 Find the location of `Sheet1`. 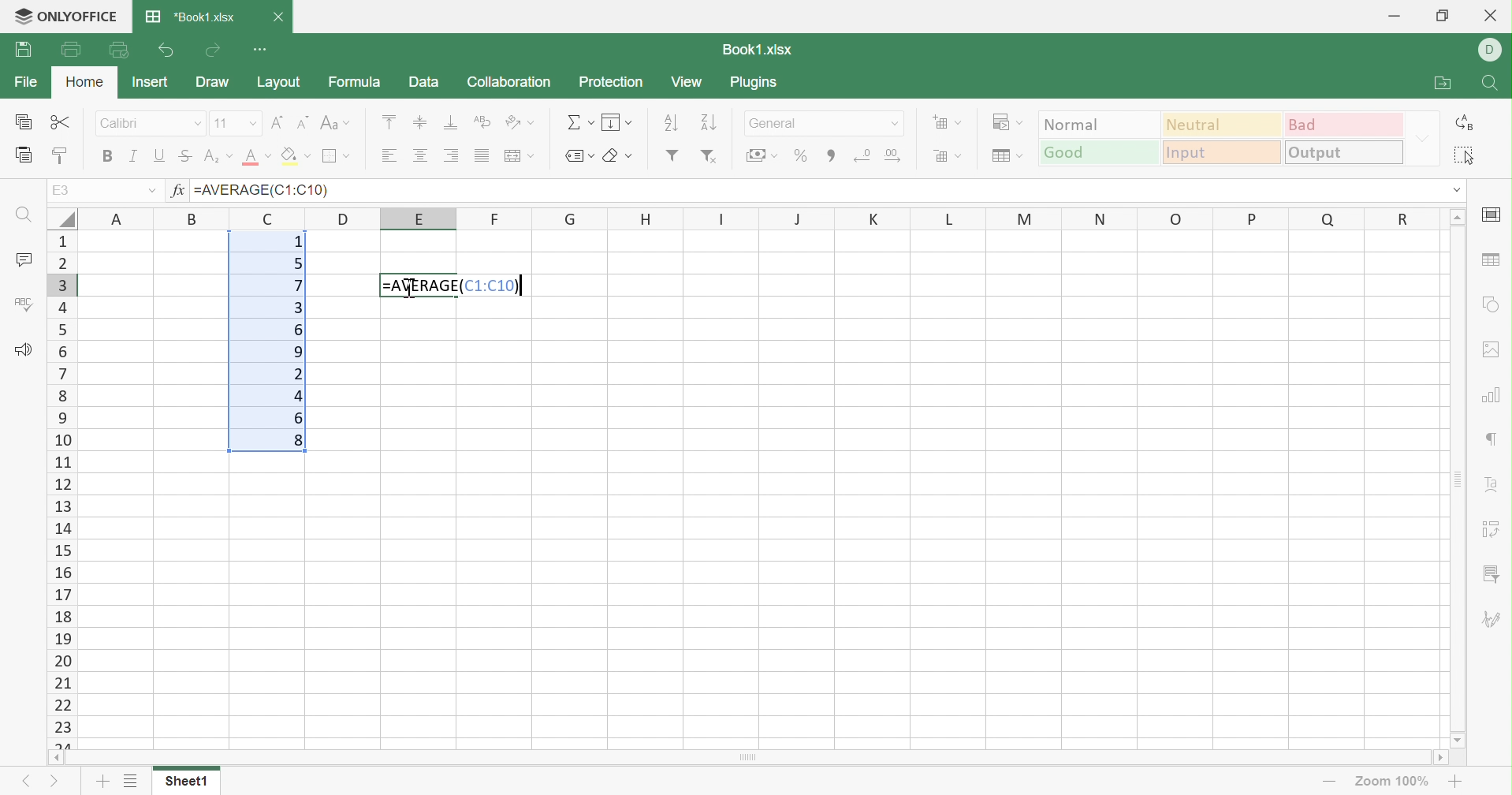

Sheet1 is located at coordinates (188, 782).